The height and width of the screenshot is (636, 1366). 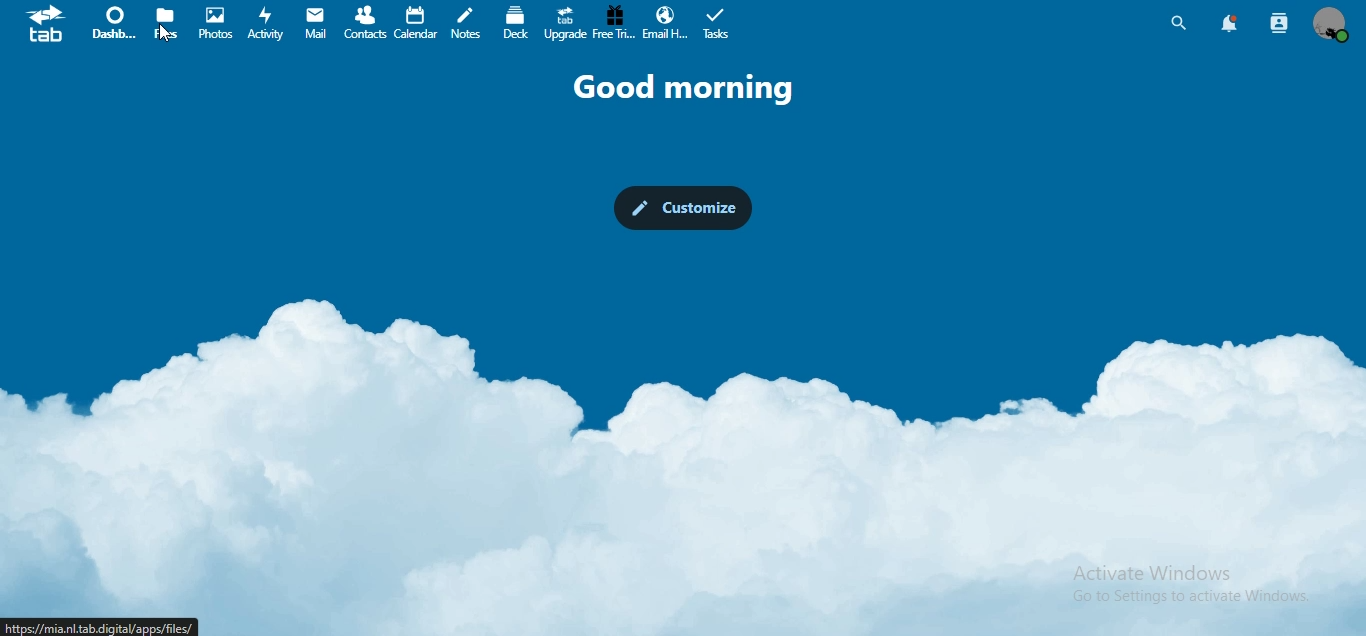 What do you see at coordinates (1229, 22) in the screenshot?
I see `notifications` at bounding box center [1229, 22].